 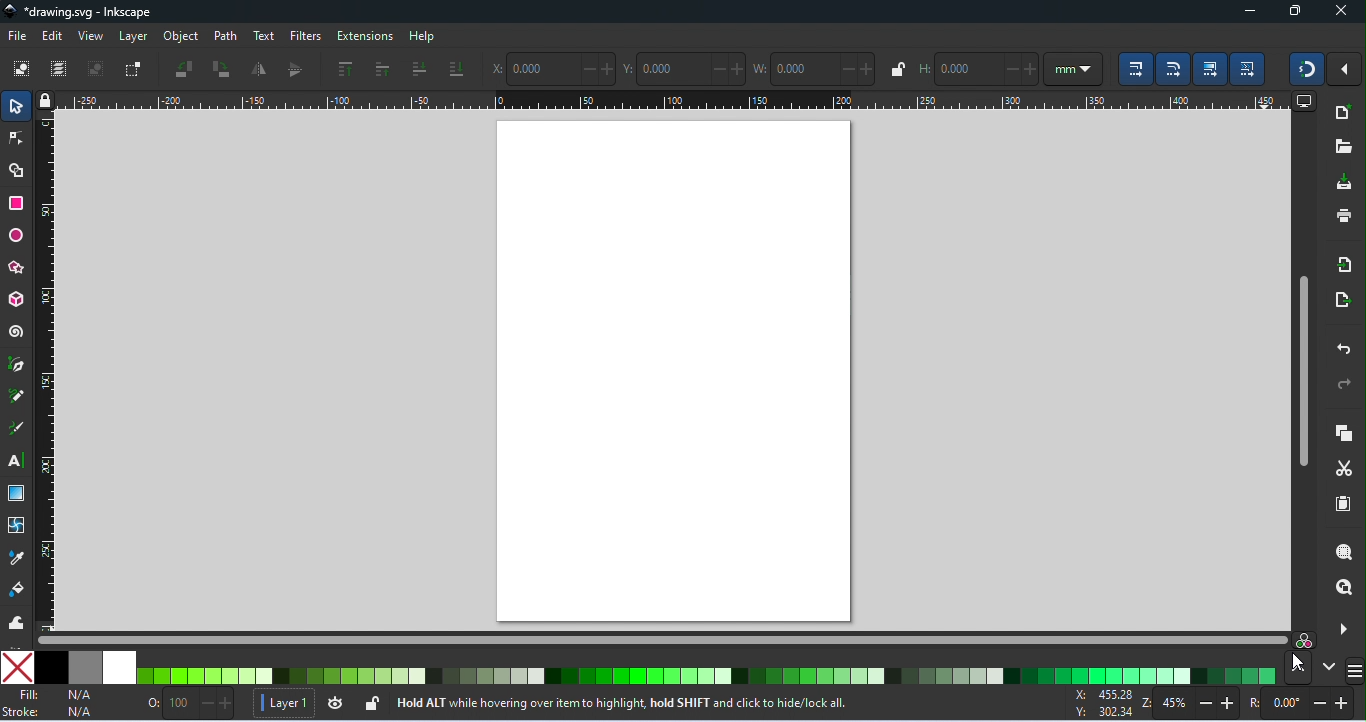 I want to click on new, so click(x=1342, y=114).